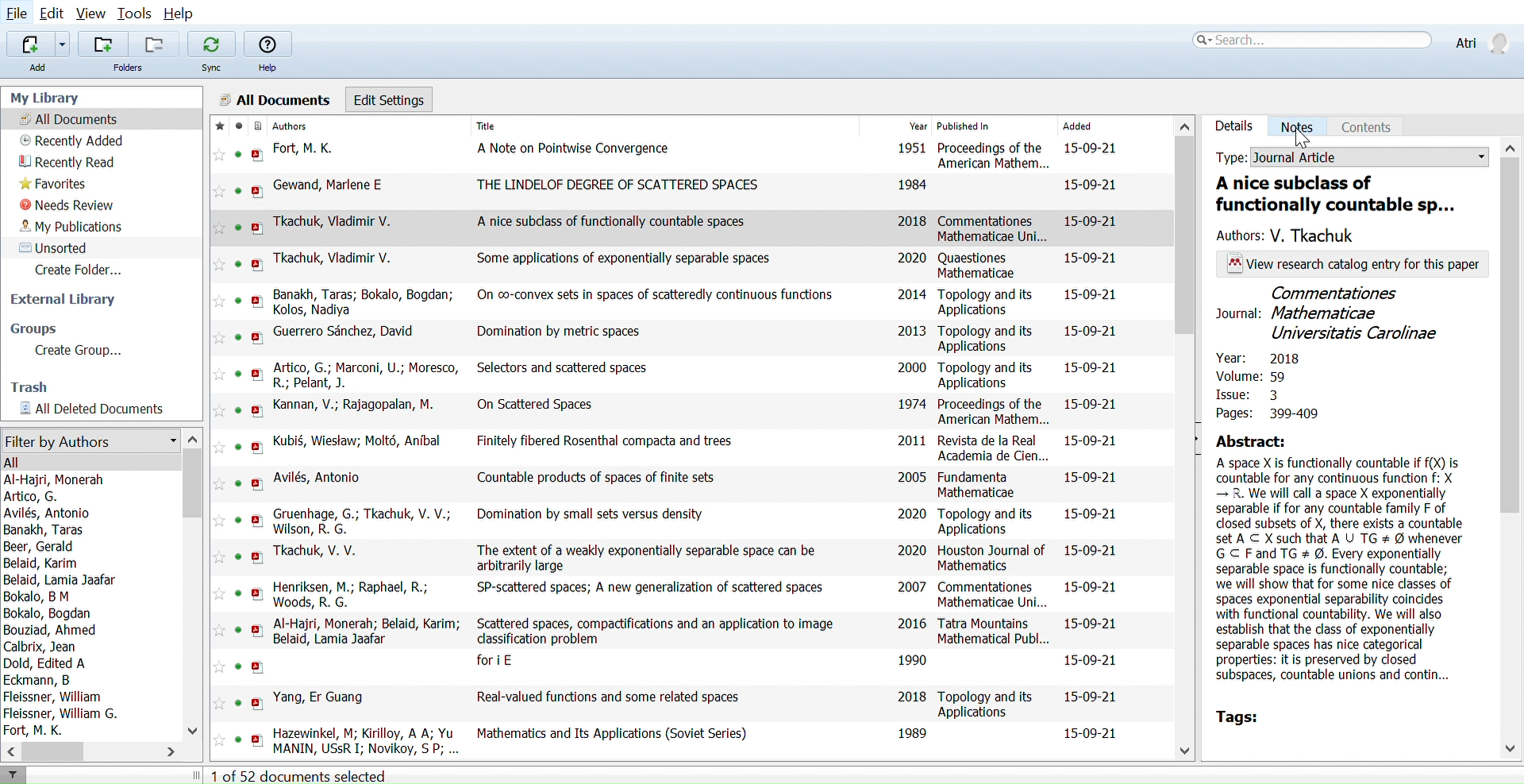 This screenshot has width=1524, height=784. What do you see at coordinates (92, 352) in the screenshot?
I see `Create Group` at bounding box center [92, 352].